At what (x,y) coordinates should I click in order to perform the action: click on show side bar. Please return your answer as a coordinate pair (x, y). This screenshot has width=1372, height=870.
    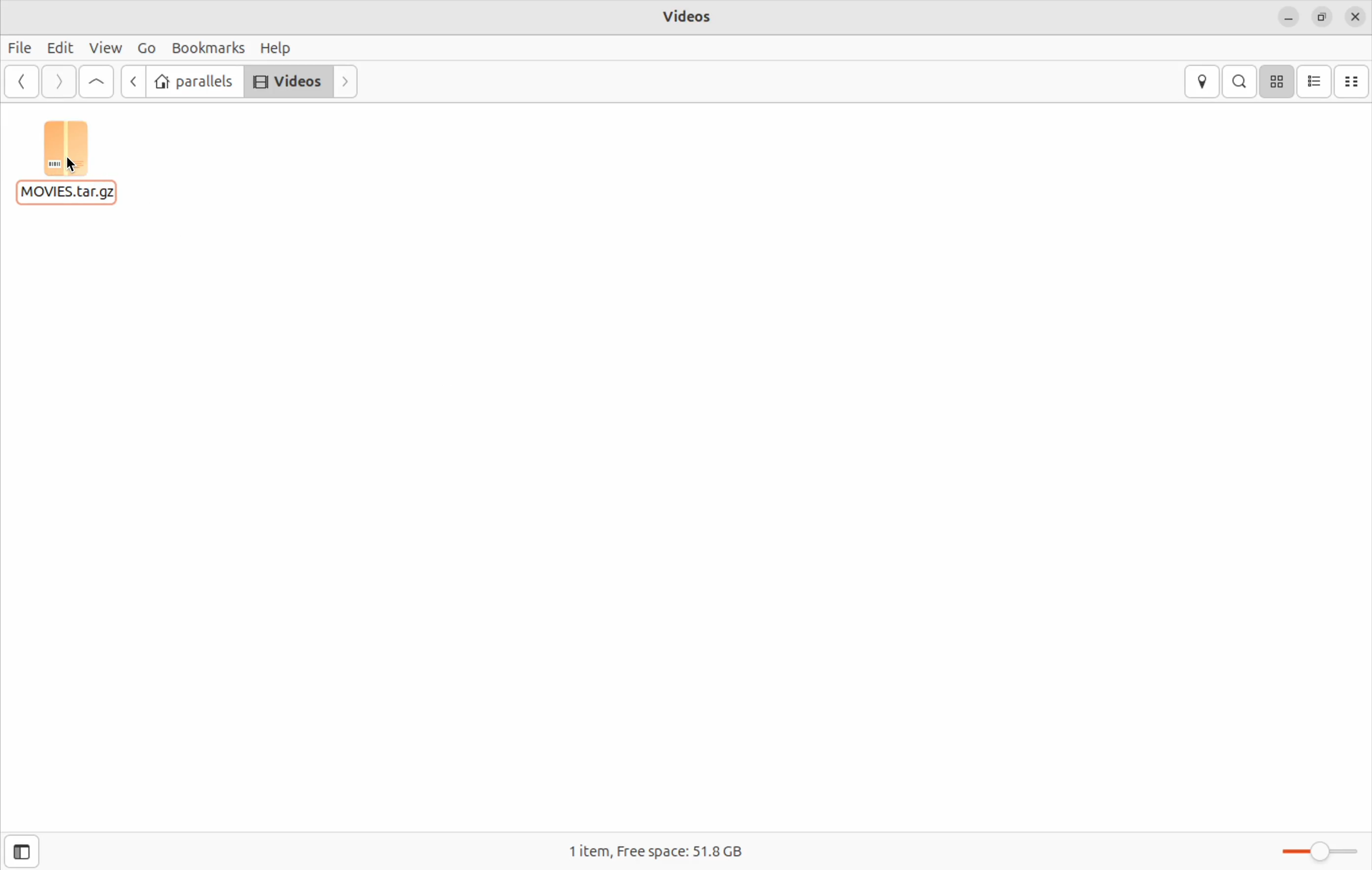
    Looking at the image, I should click on (22, 851).